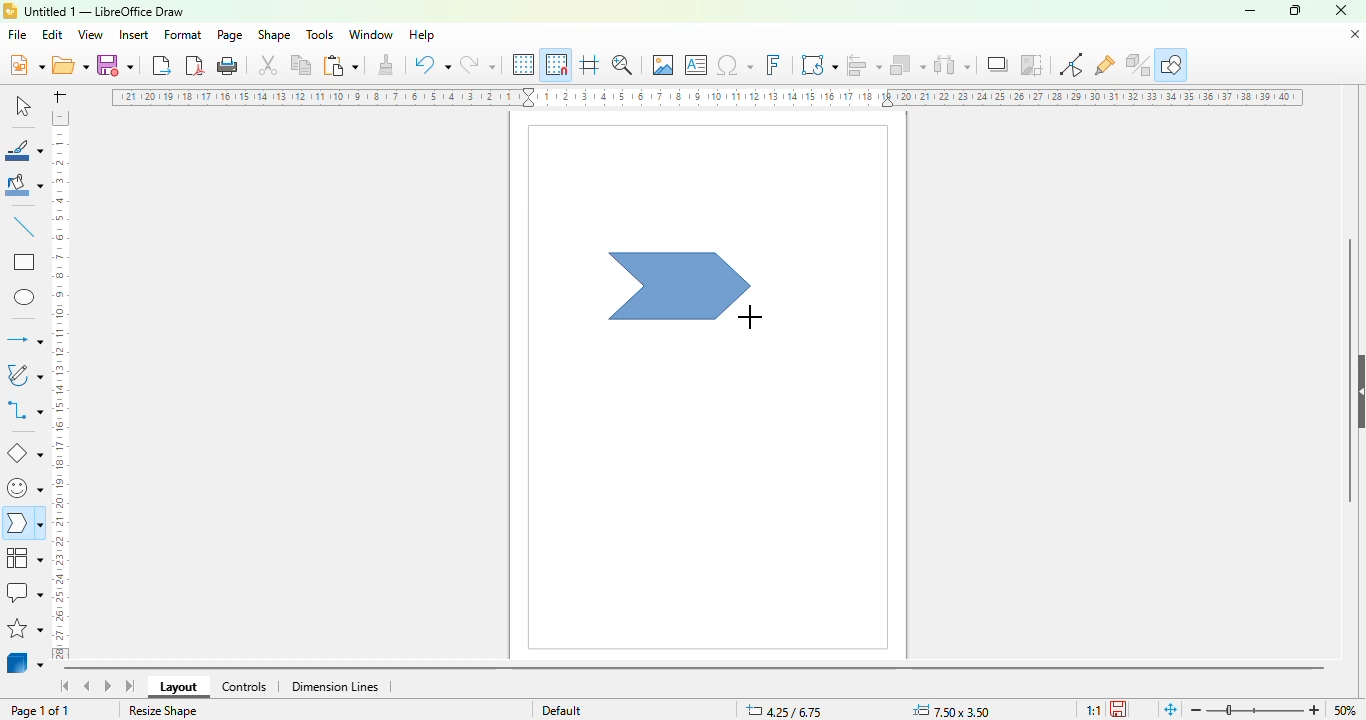 The width and height of the screenshot is (1366, 720). Describe the element at coordinates (1104, 66) in the screenshot. I see `show gluepoint functions` at that location.